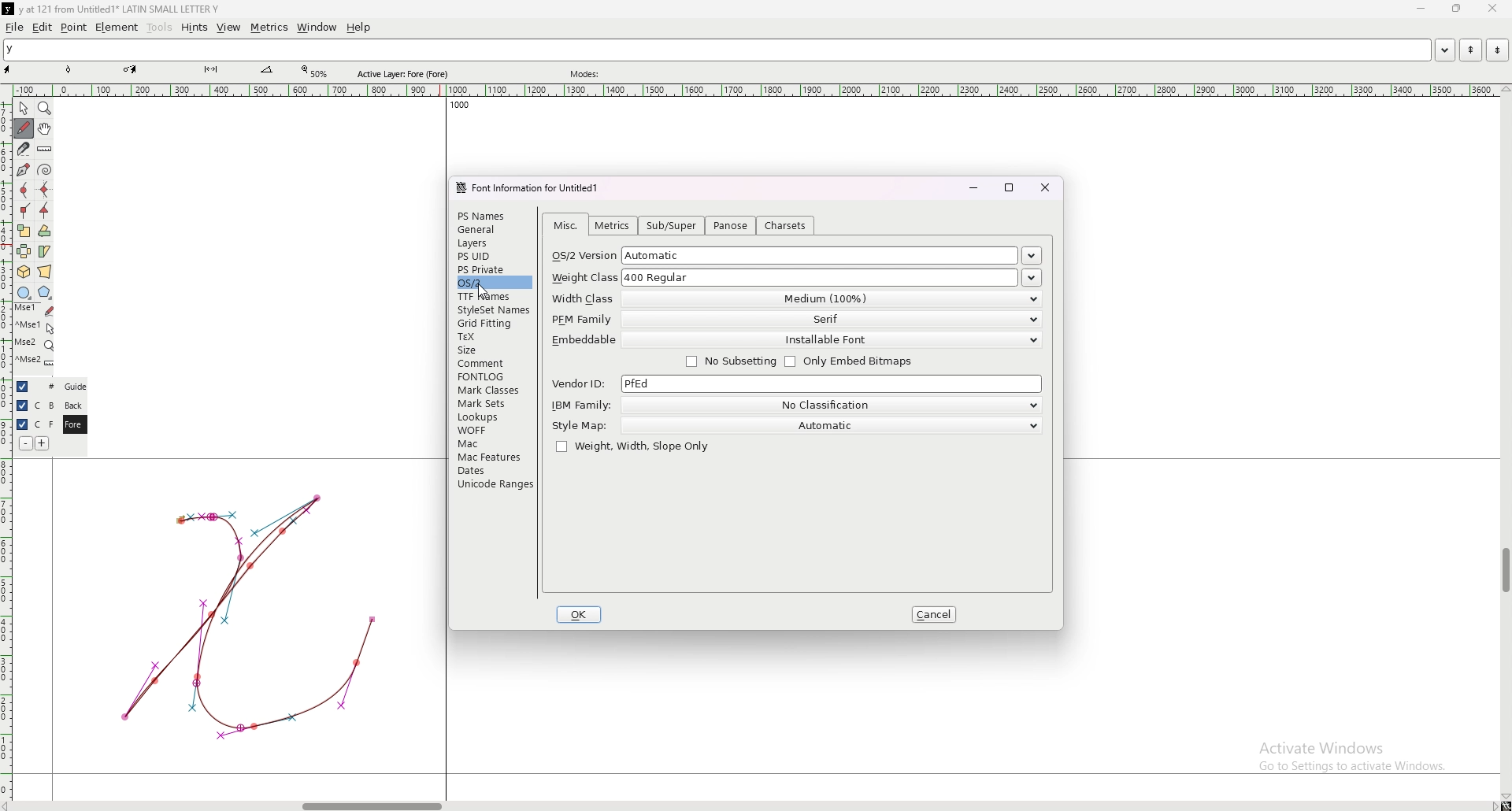 The width and height of the screenshot is (1512, 811). I want to click on pfm family serif, so click(795, 320).